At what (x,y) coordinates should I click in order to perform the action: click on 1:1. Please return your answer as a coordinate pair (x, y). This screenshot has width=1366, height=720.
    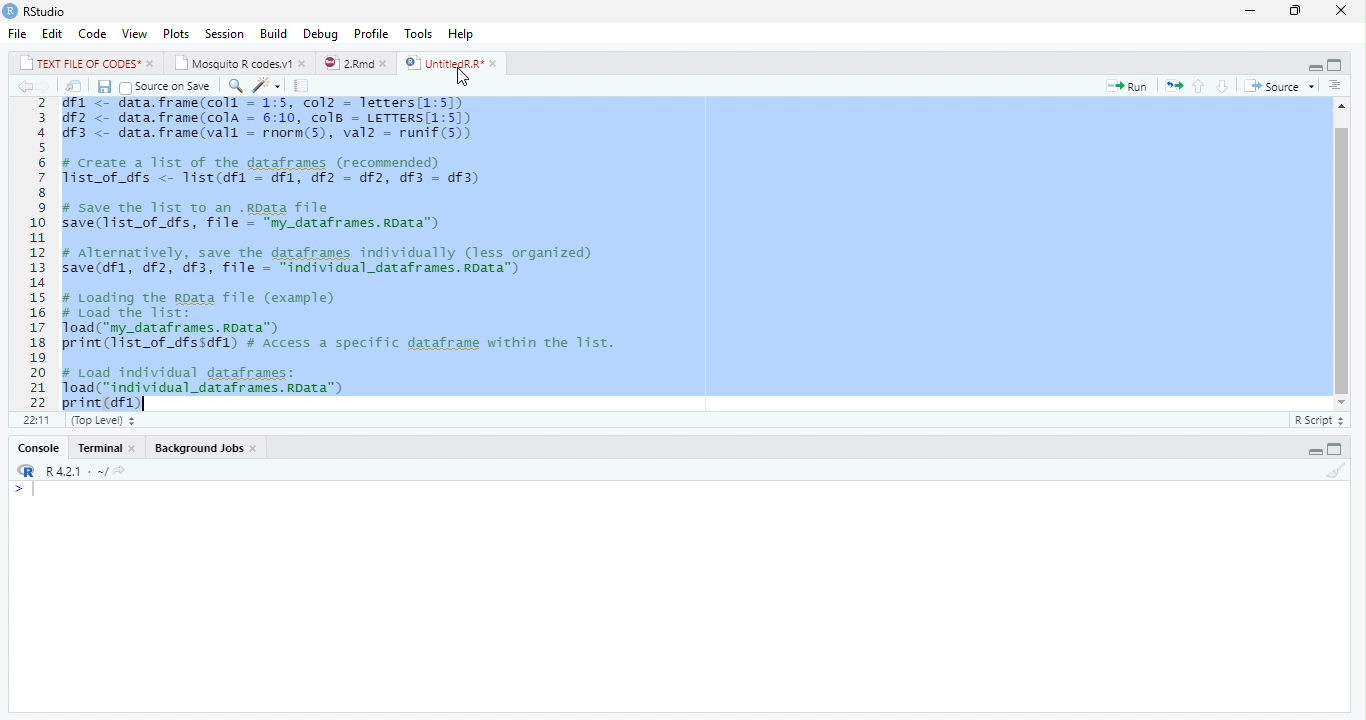
    Looking at the image, I should click on (33, 420).